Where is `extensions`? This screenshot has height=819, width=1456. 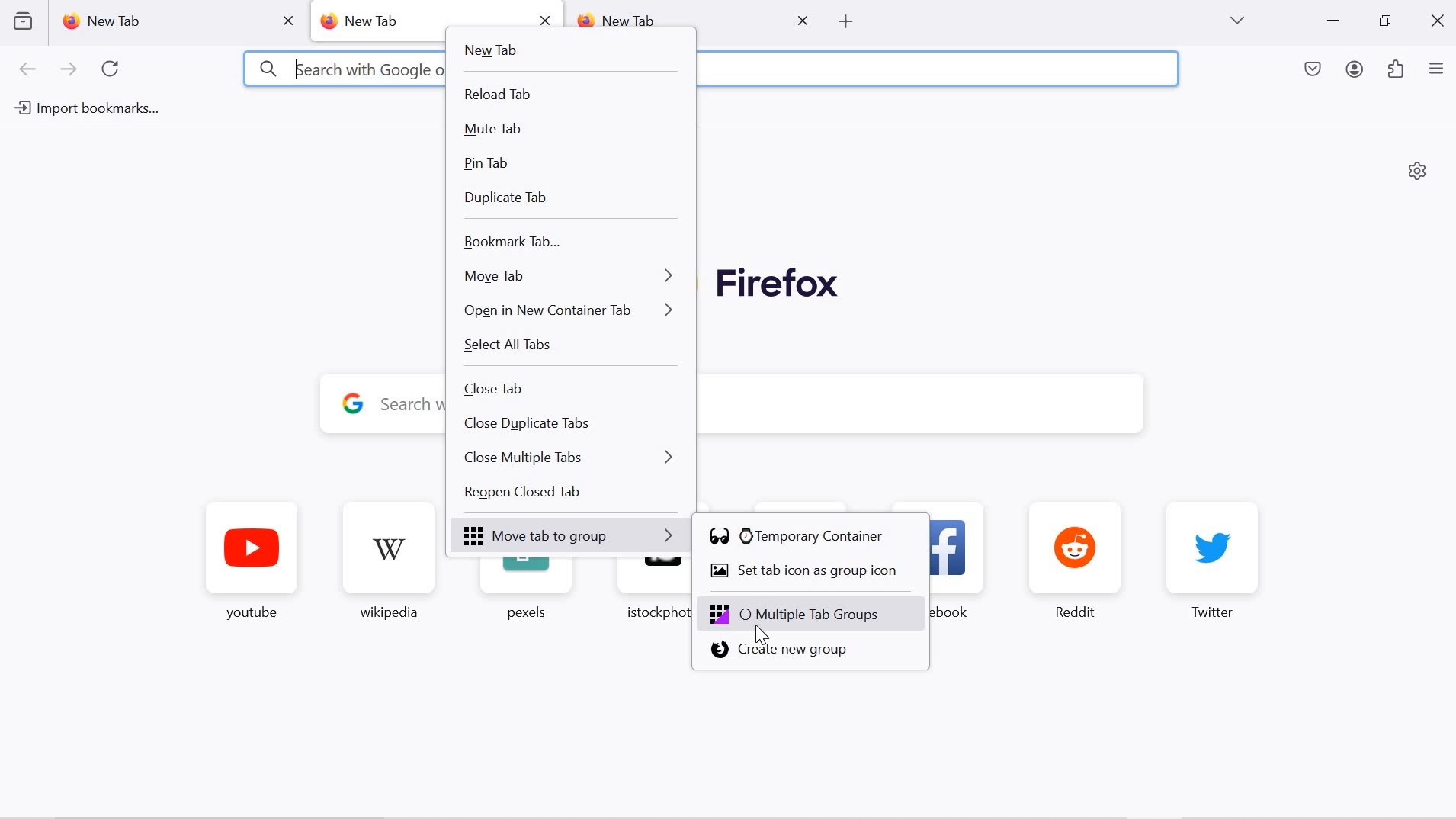
extensions is located at coordinates (1397, 71).